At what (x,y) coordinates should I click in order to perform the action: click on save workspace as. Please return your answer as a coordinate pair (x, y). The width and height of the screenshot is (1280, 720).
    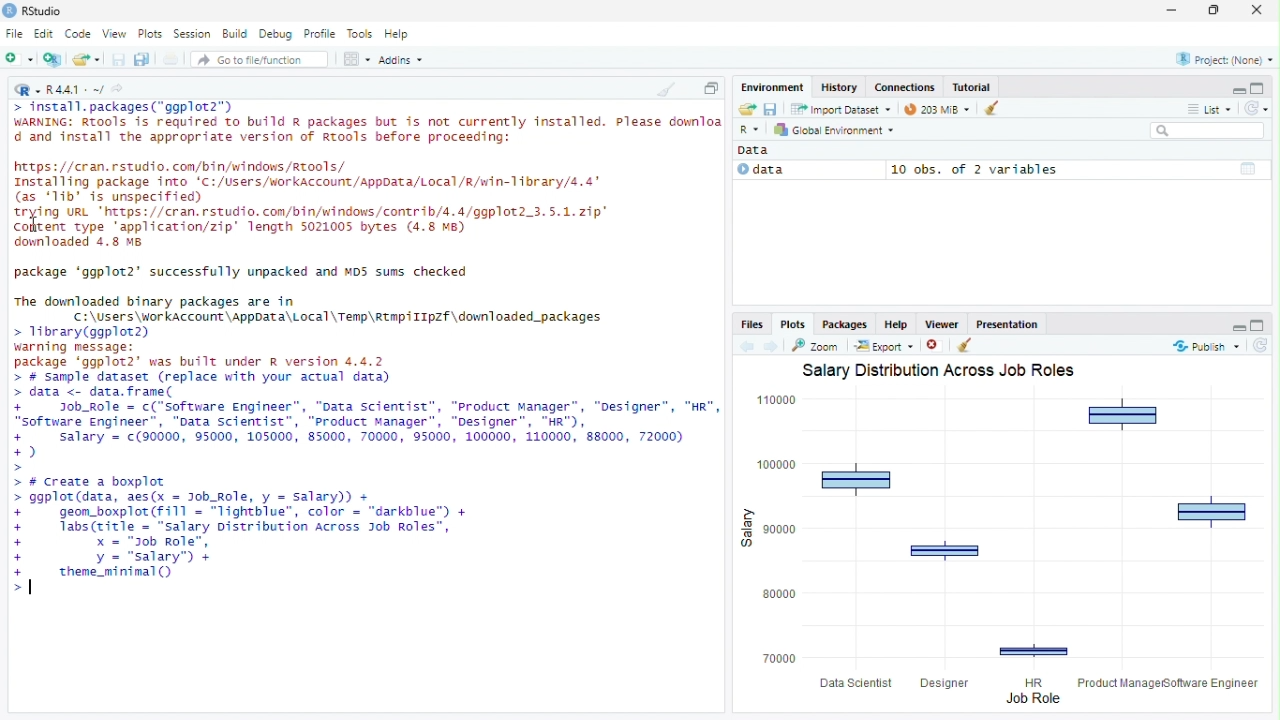
    Looking at the image, I should click on (773, 110).